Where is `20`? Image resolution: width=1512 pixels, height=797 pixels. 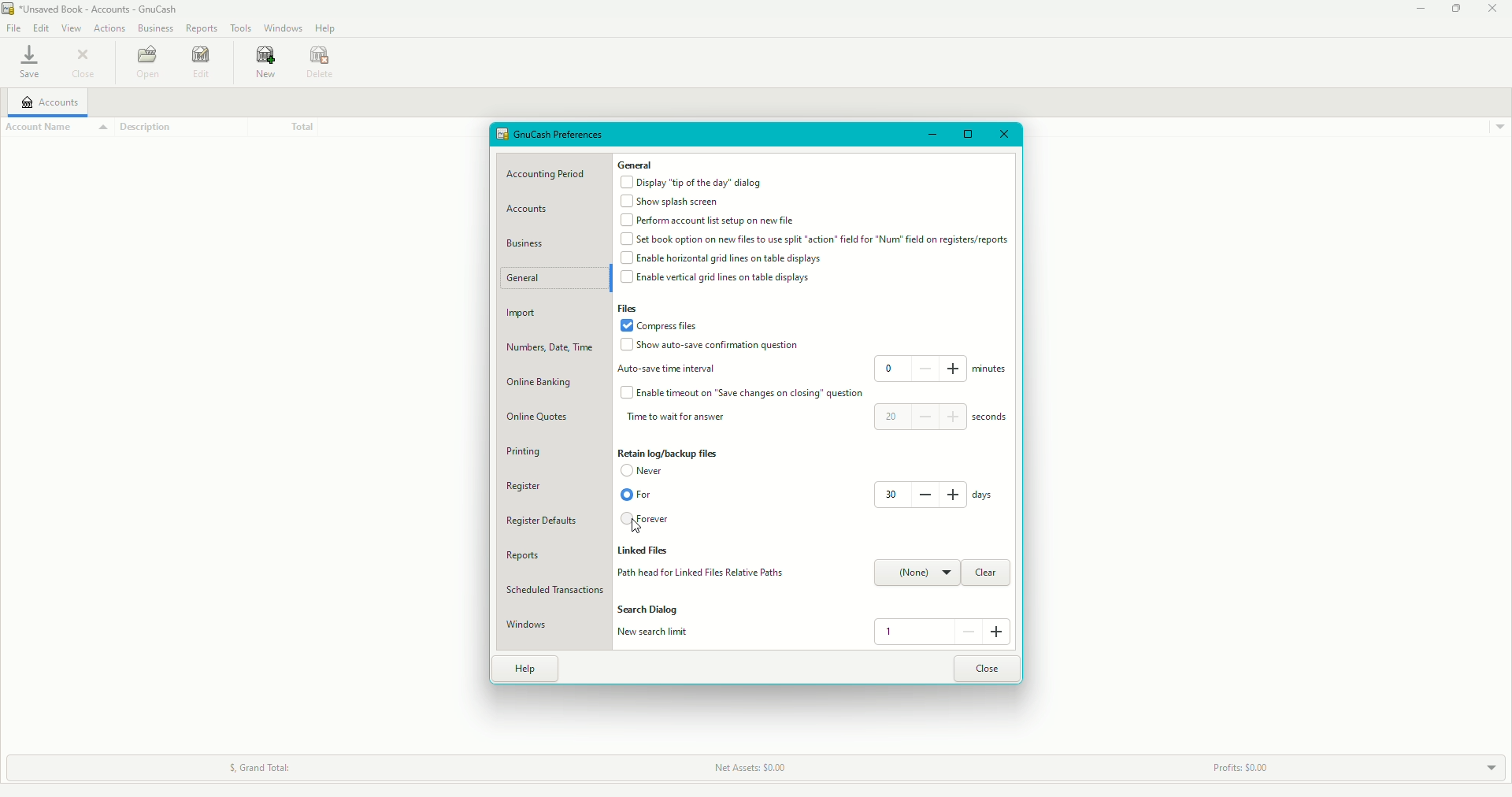 20 is located at coordinates (920, 416).